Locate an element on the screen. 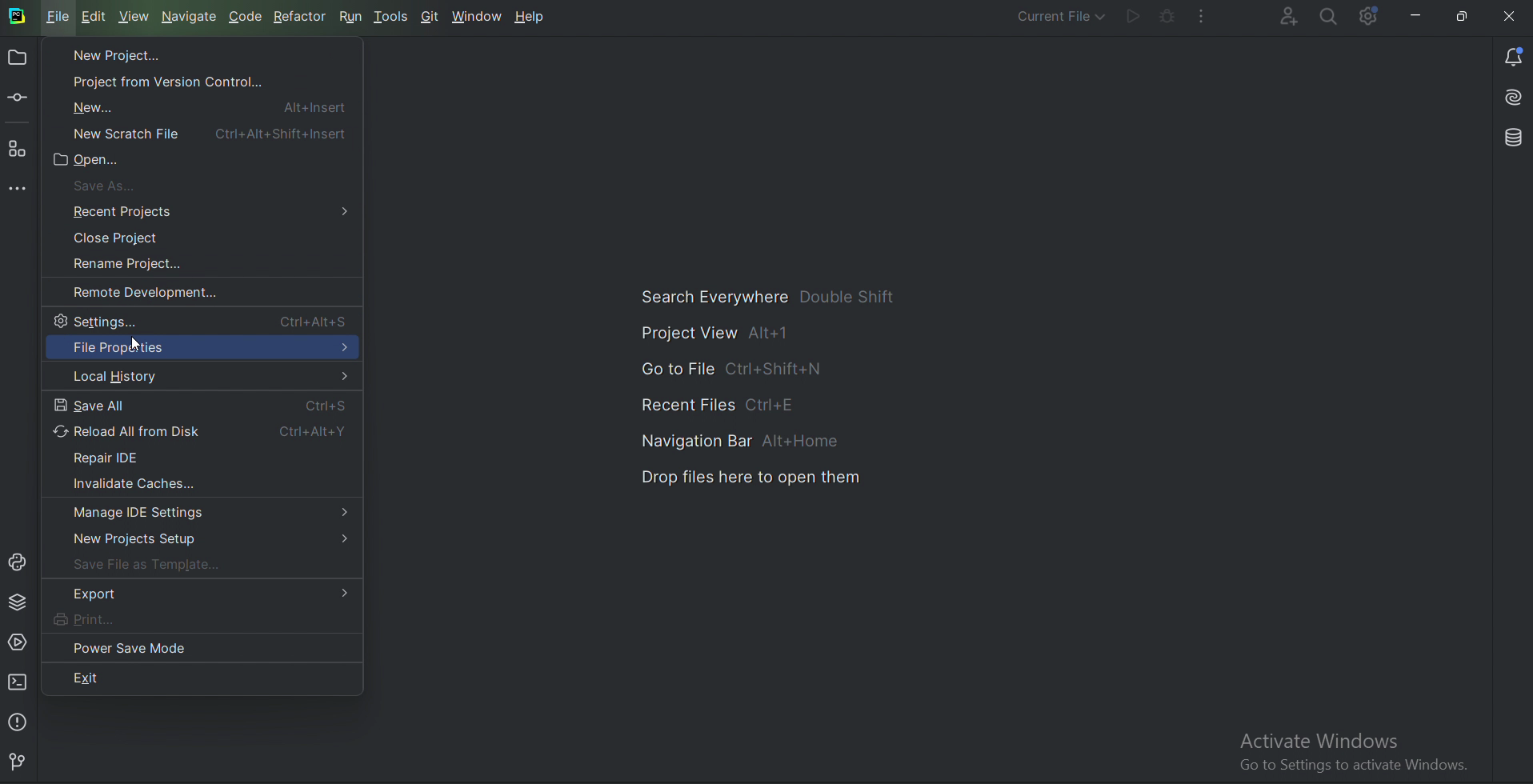  Python package is located at coordinates (20, 602).